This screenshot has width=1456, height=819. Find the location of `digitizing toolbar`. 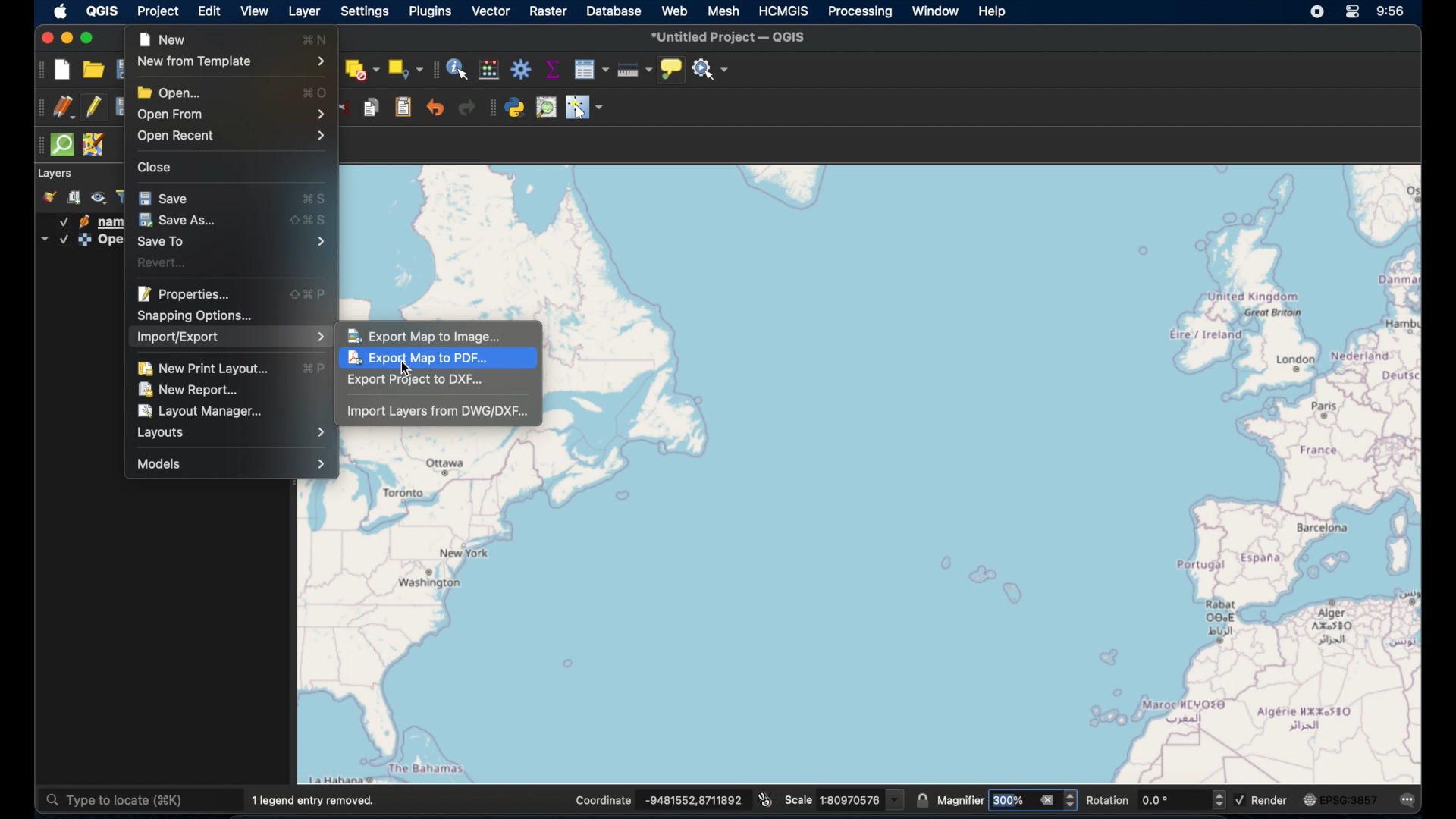

digitizing toolbar is located at coordinates (39, 110).